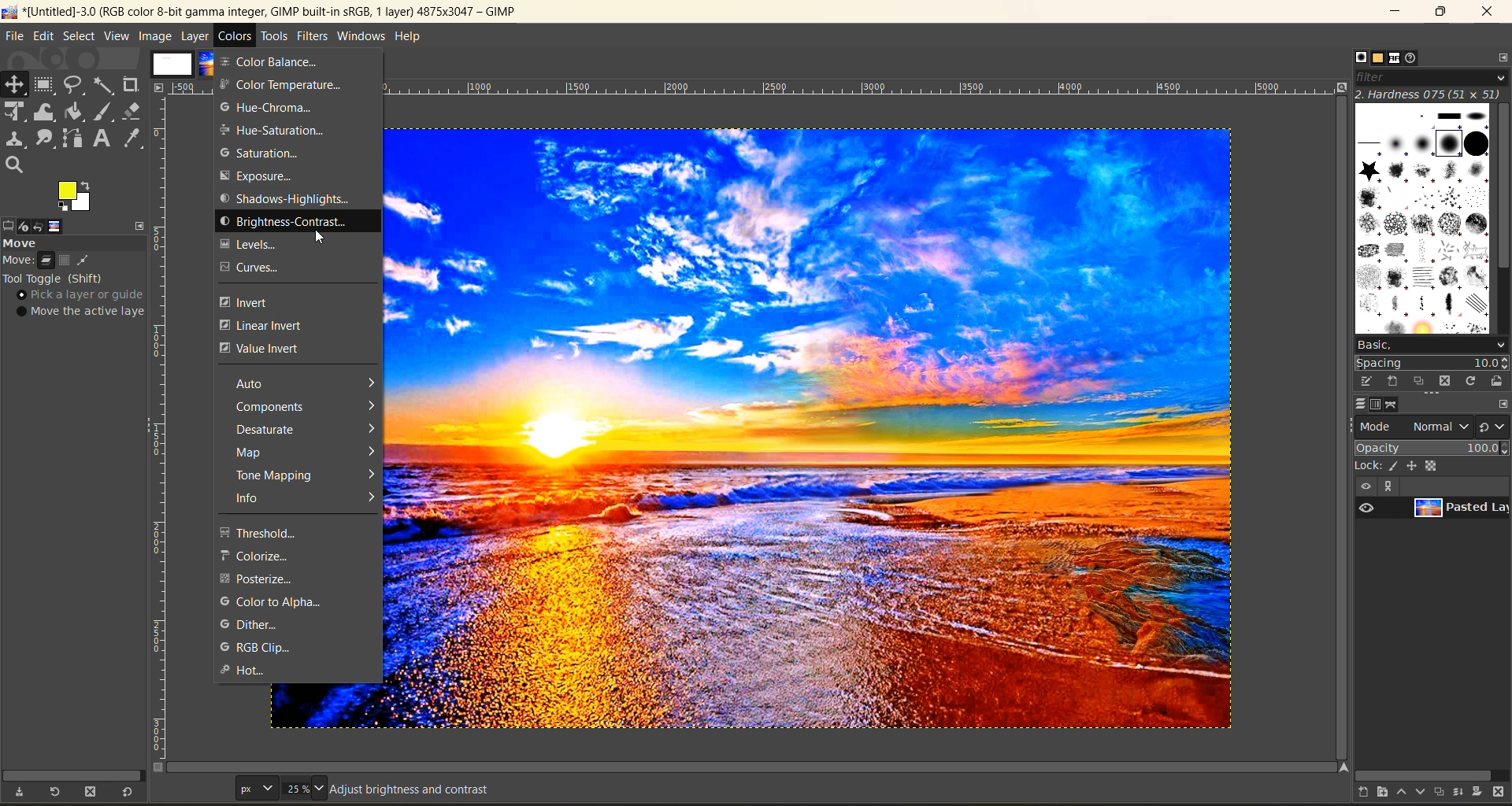 This screenshot has height=806, width=1512. What do you see at coordinates (362, 37) in the screenshot?
I see `windows` at bounding box center [362, 37].